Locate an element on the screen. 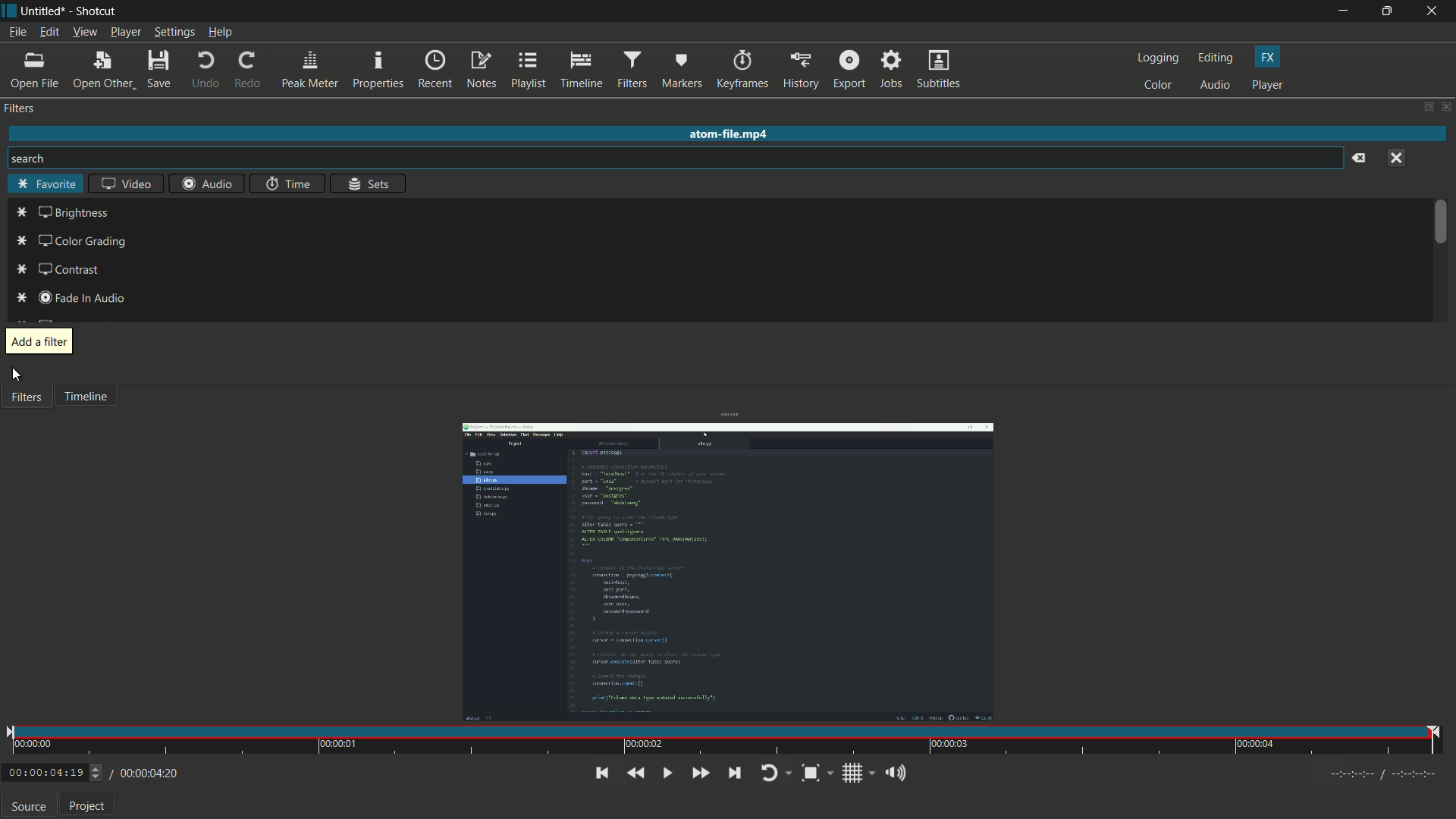  close menu is located at coordinates (1398, 158).